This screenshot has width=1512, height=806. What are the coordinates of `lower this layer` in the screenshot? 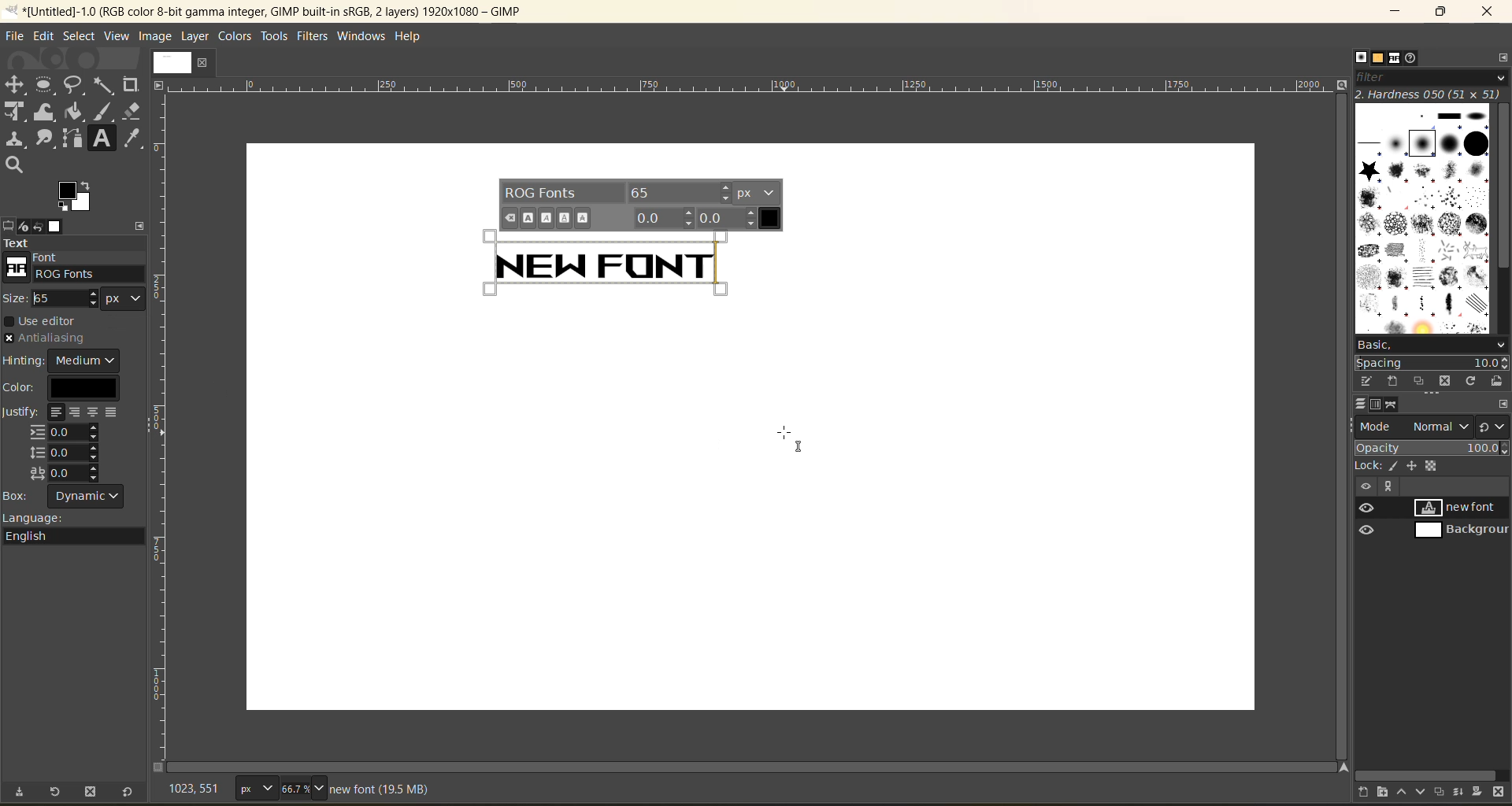 It's located at (1425, 789).